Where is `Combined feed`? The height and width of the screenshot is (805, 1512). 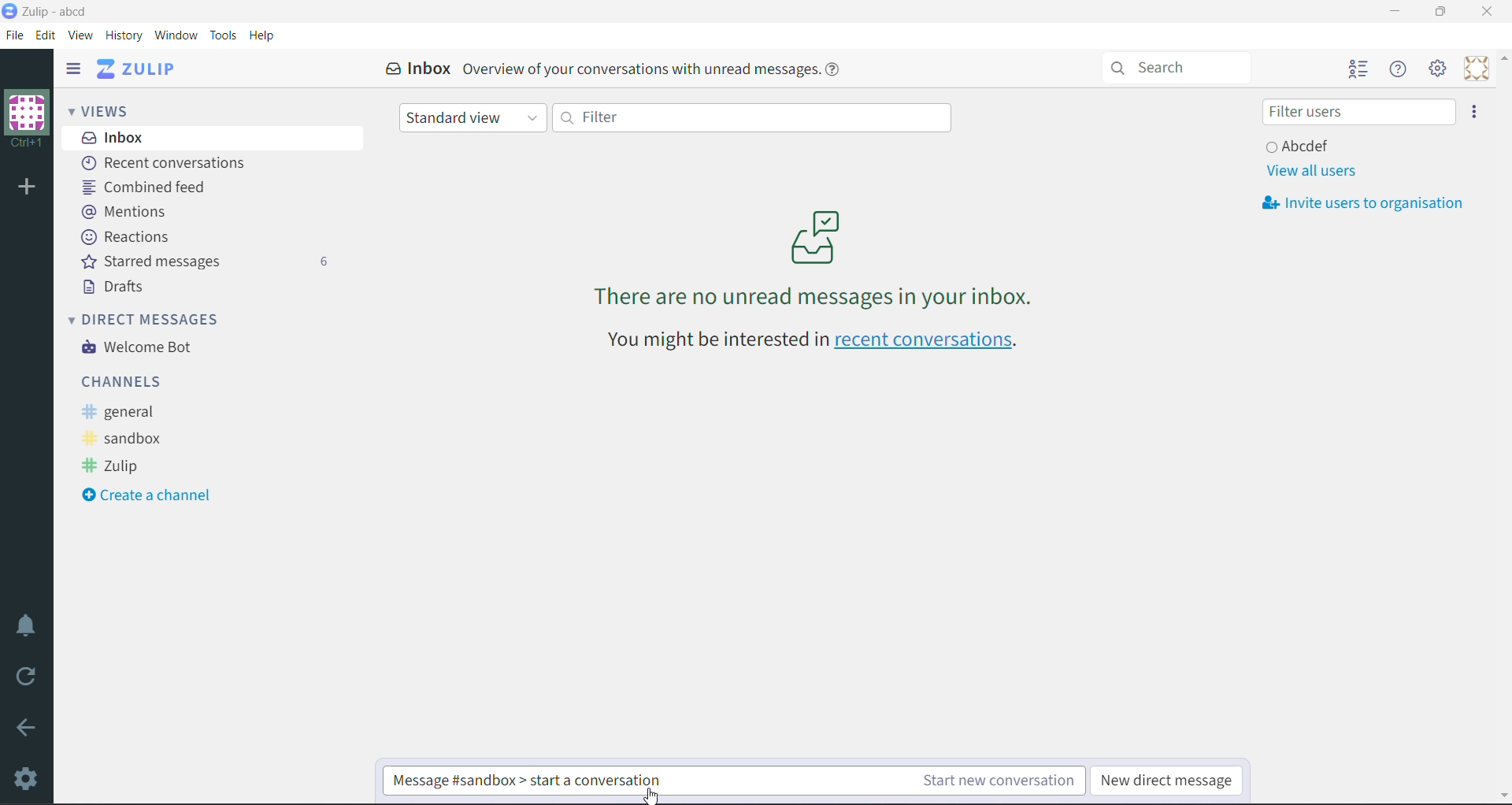
Combined feed is located at coordinates (150, 187).